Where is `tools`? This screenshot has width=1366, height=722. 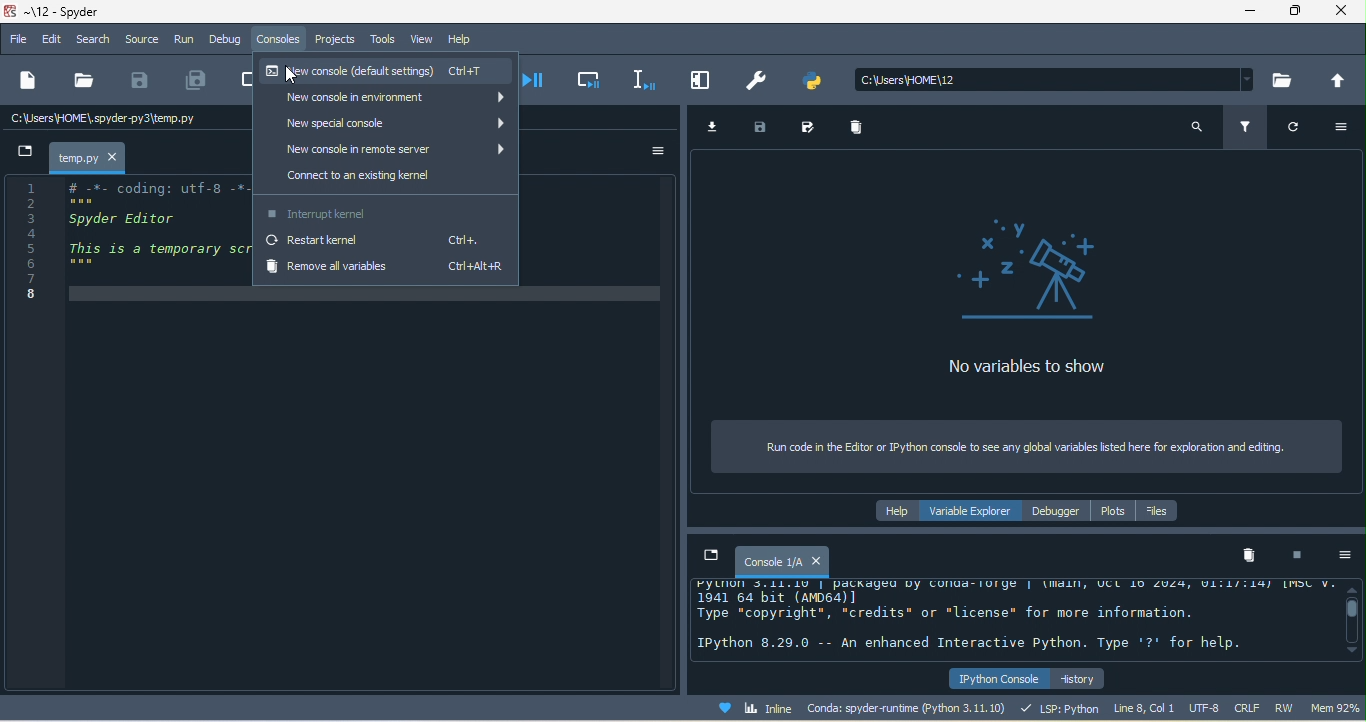 tools is located at coordinates (384, 41).